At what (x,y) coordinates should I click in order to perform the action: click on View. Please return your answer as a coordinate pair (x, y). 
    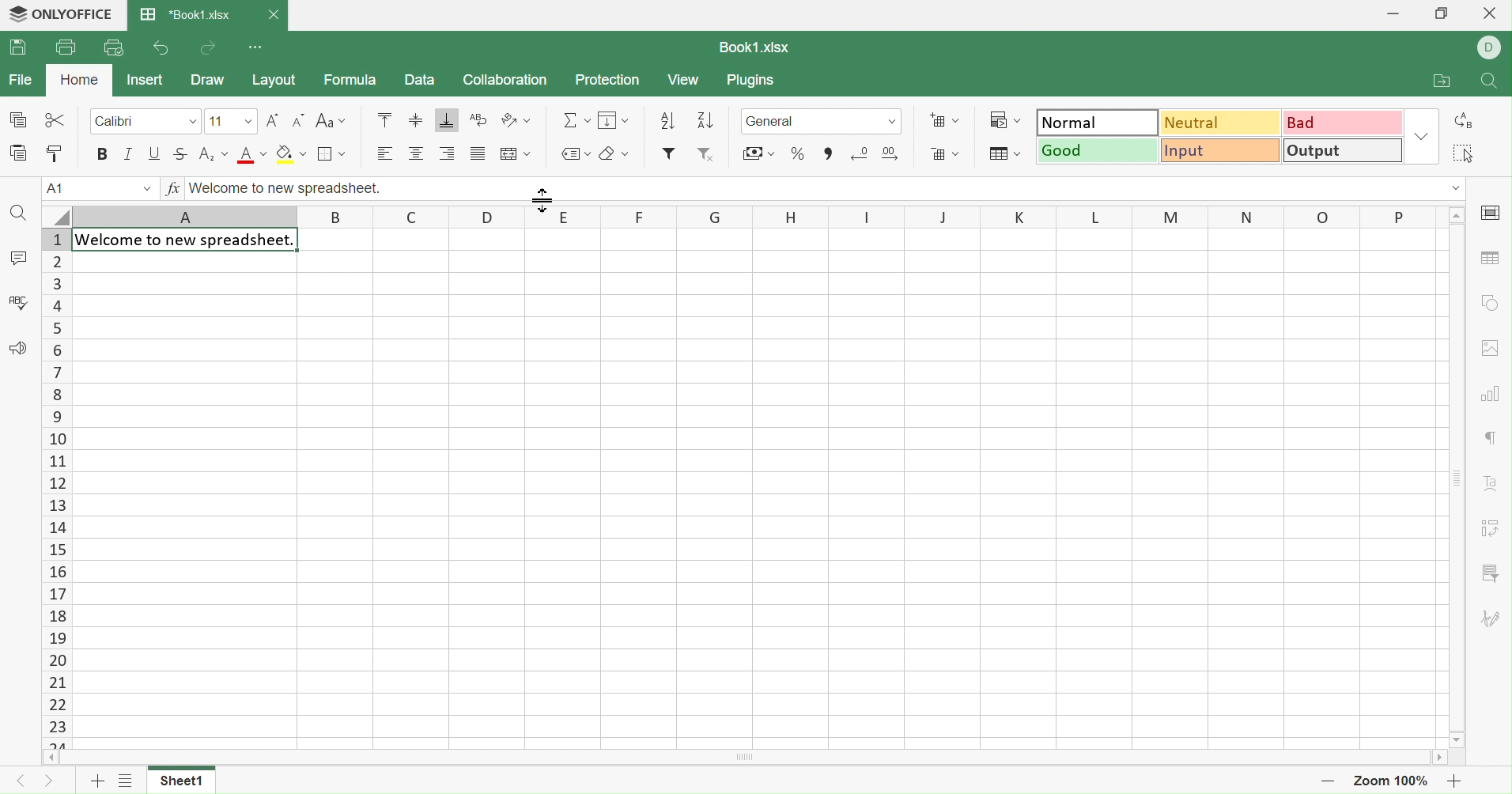
    Looking at the image, I should click on (686, 81).